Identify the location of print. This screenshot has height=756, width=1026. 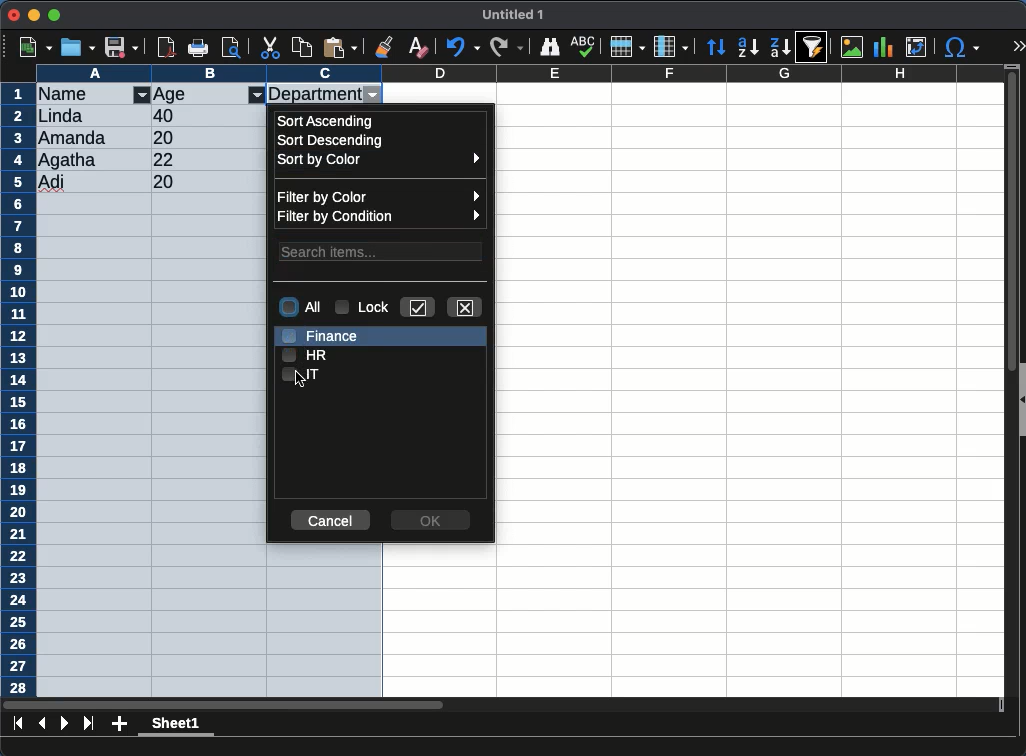
(201, 47).